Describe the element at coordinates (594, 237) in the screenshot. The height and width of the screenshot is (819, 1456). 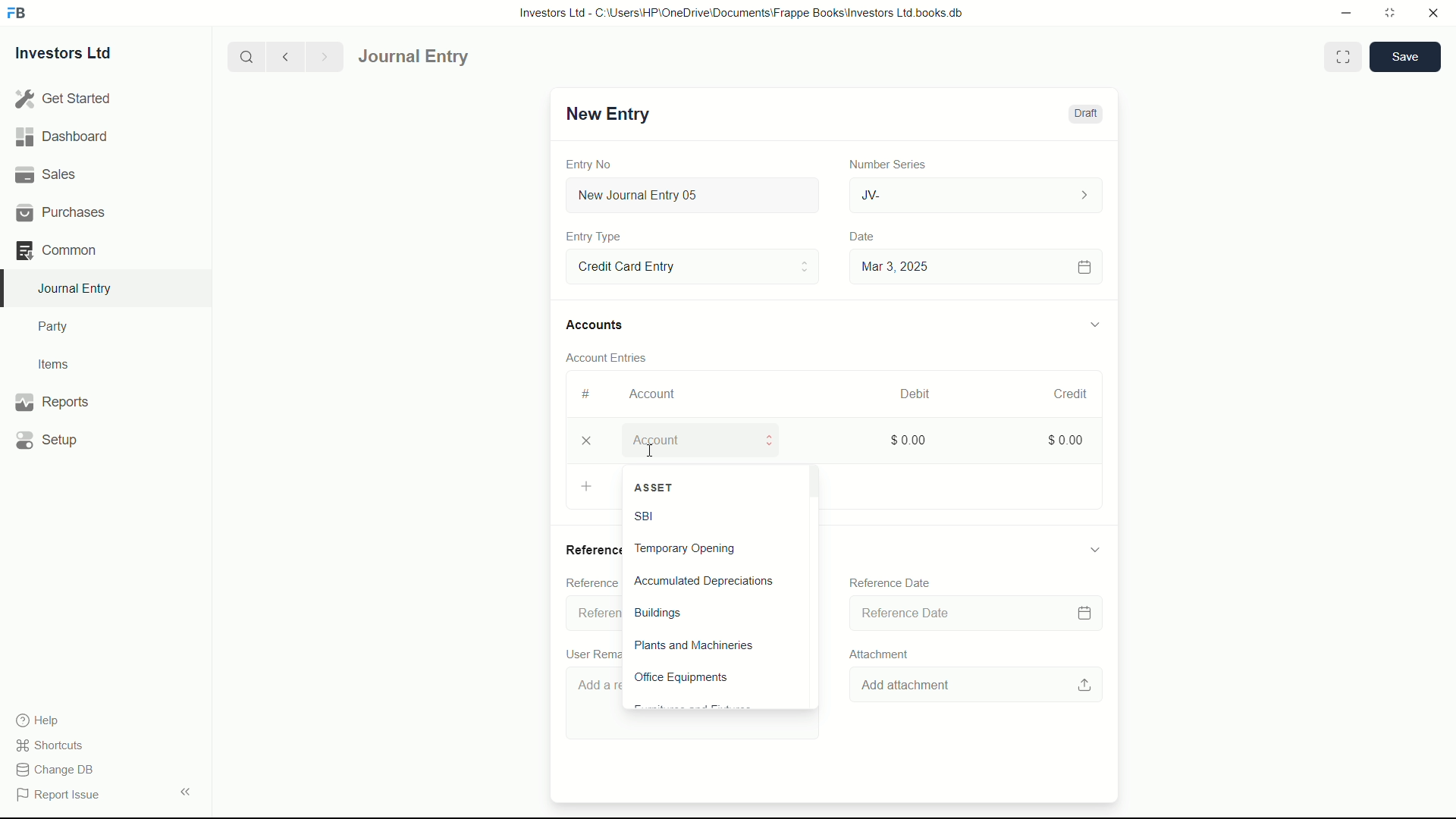
I see `Entry Type` at that location.